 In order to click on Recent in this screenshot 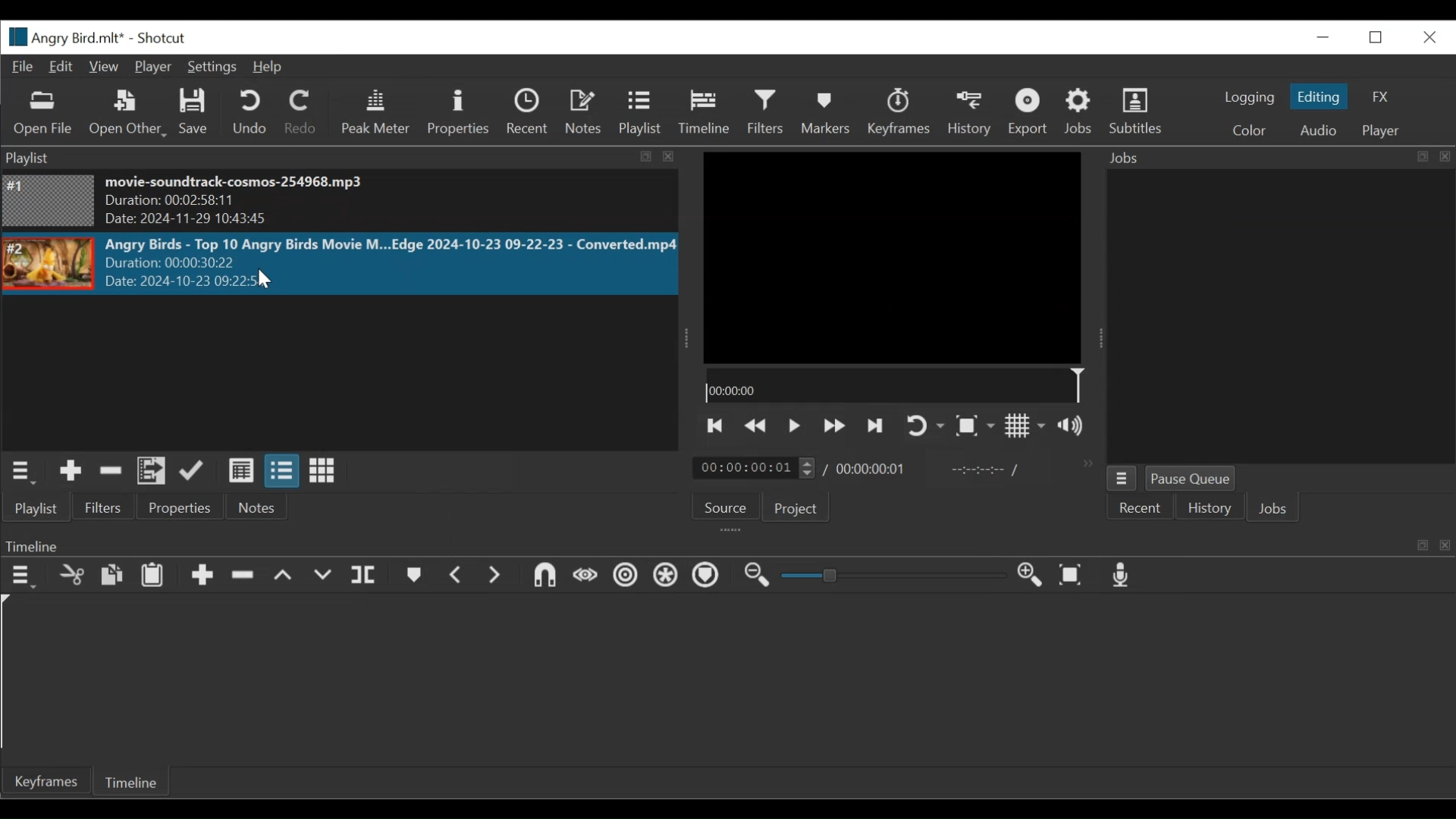, I will do `click(1136, 510)`.